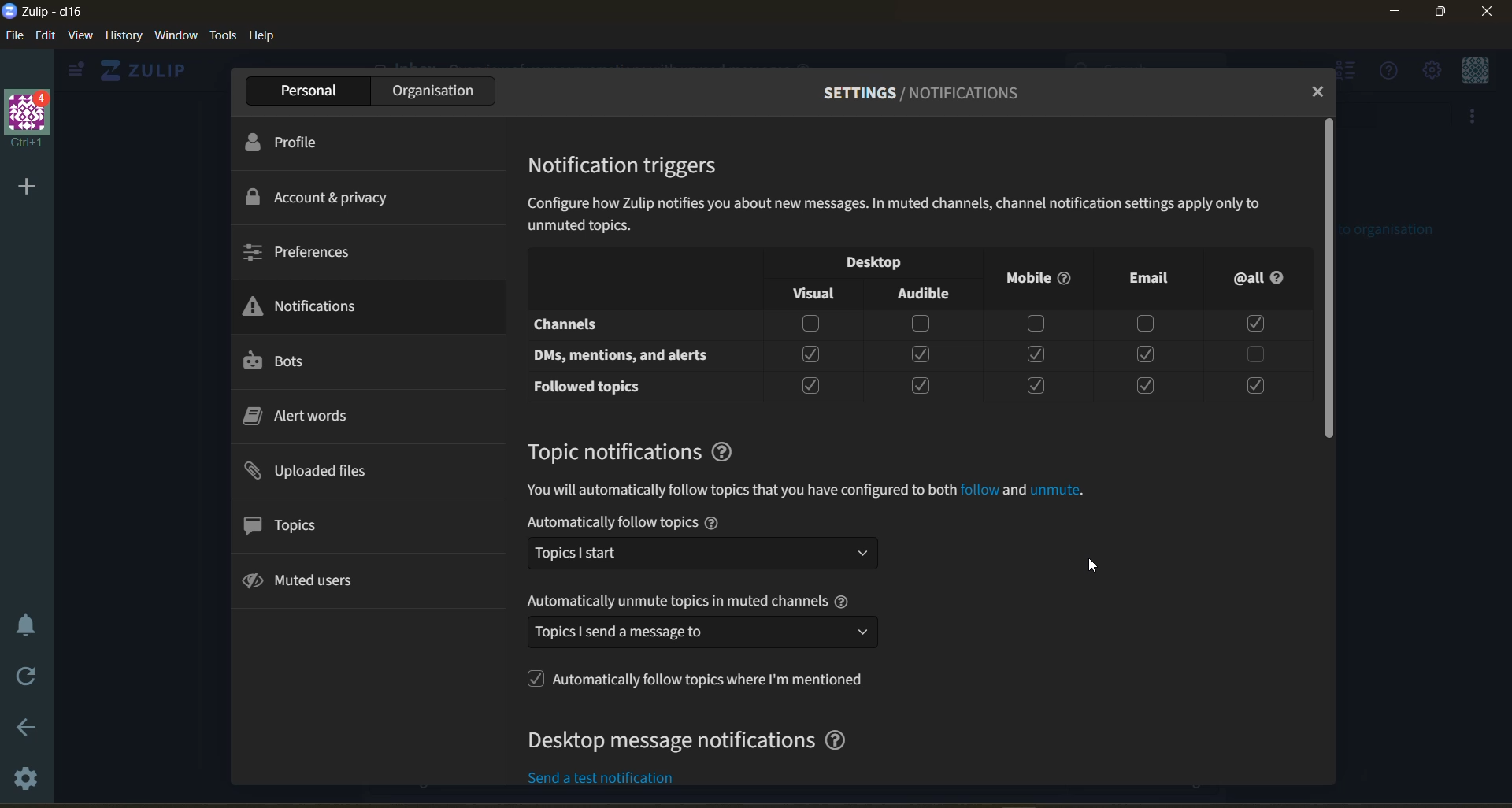 The image size is (1512, 808). Describe the element at coordinates (329, 198) in the screenshot. I see `account and privacy` at that location.